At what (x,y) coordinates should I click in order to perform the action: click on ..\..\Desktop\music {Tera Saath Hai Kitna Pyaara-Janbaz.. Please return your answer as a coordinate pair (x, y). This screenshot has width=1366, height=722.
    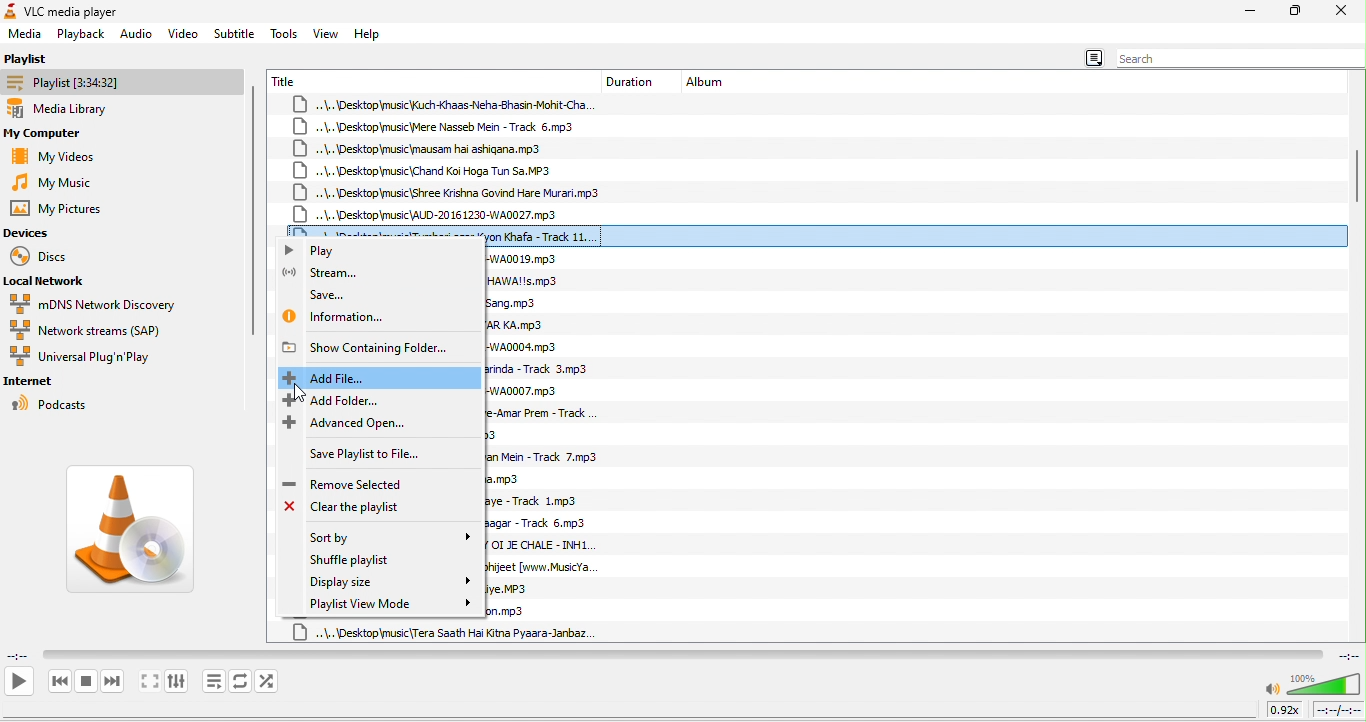
    Looking at the image, I should click on (445, 632).